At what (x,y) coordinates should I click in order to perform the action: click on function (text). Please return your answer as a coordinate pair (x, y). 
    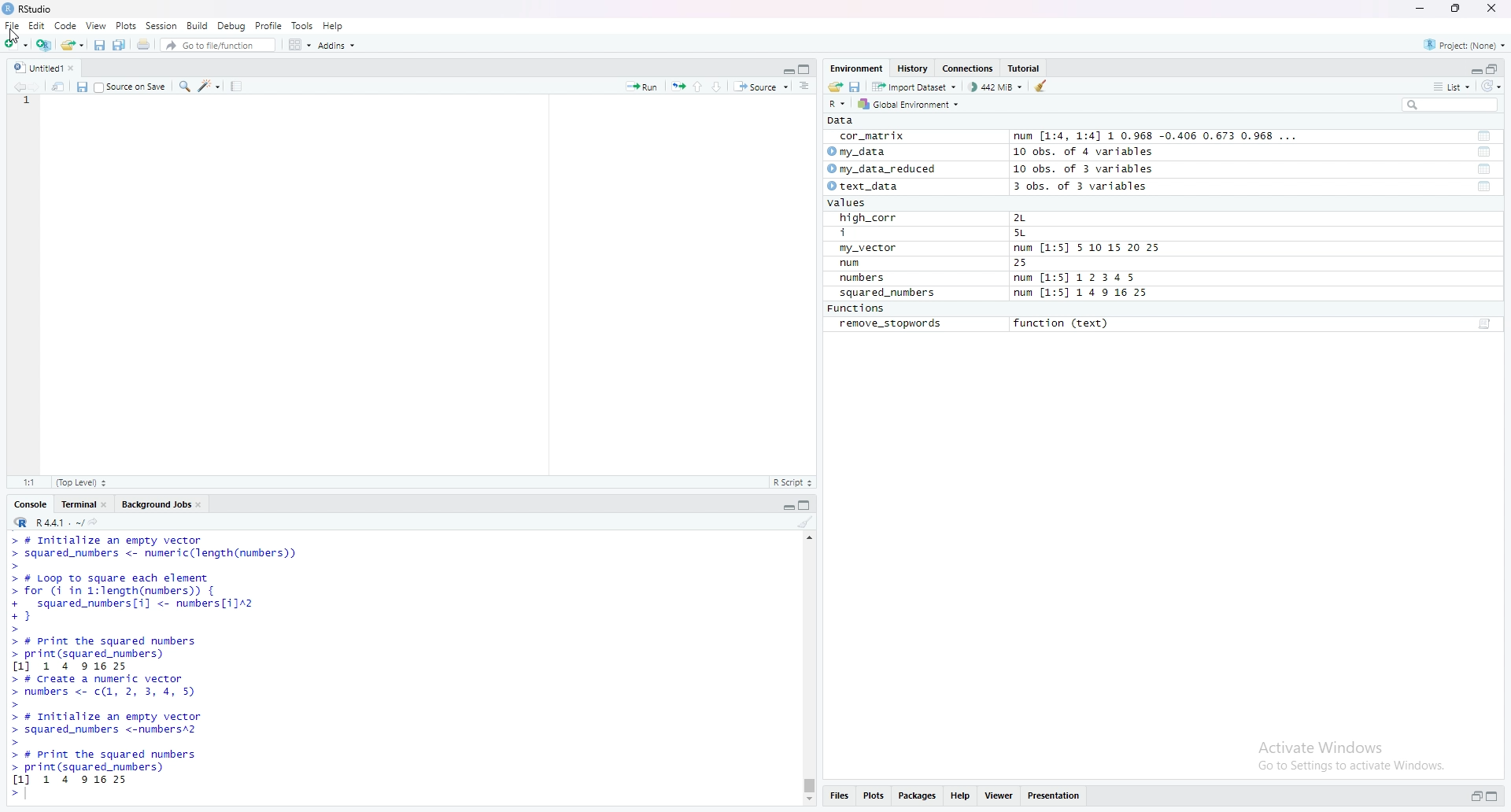
    Looking at the image, I should click on (1064, 325).